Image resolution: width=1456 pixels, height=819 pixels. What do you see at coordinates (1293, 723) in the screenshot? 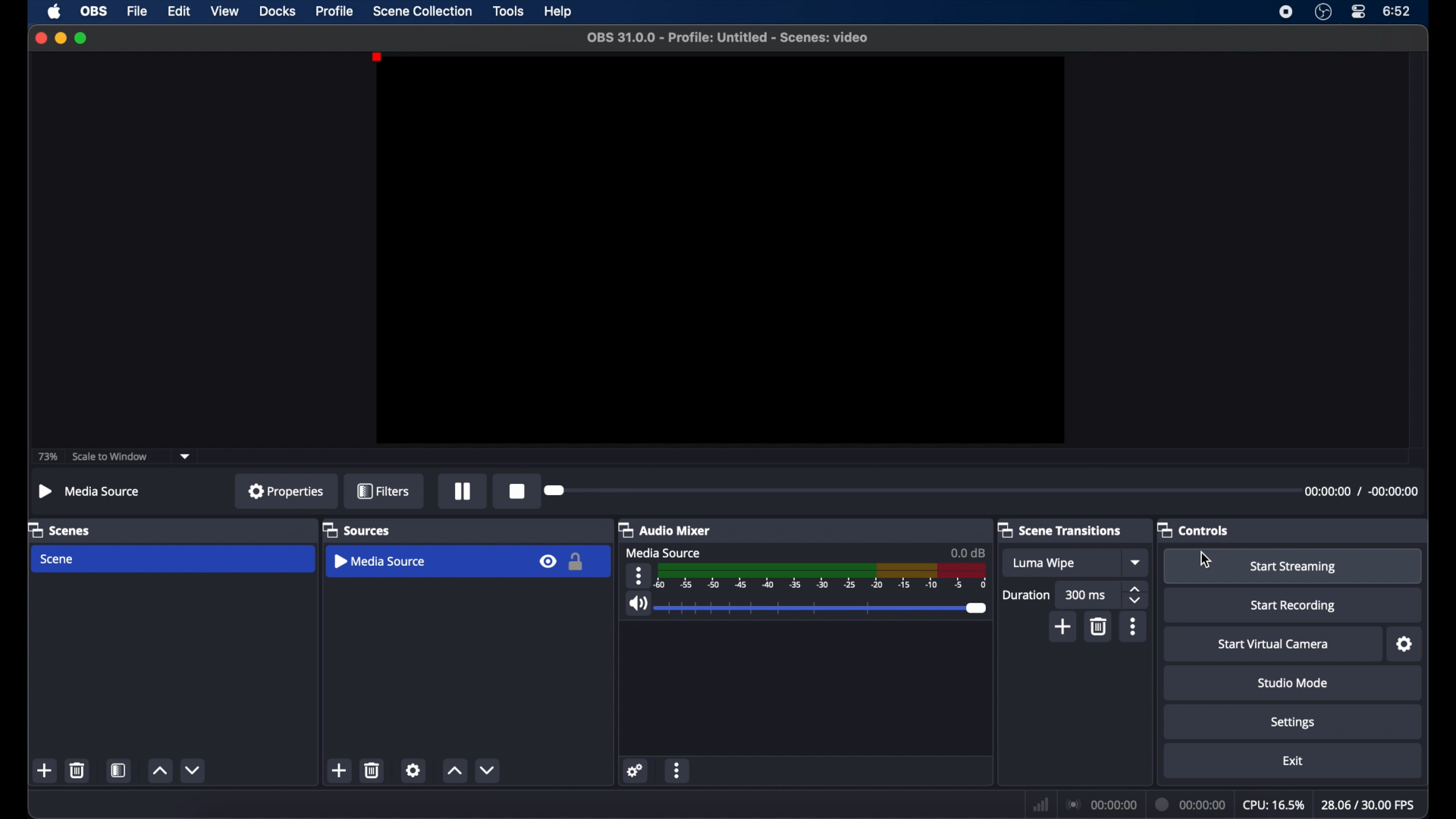
I see `settings` at bounding box center [1293, 723].